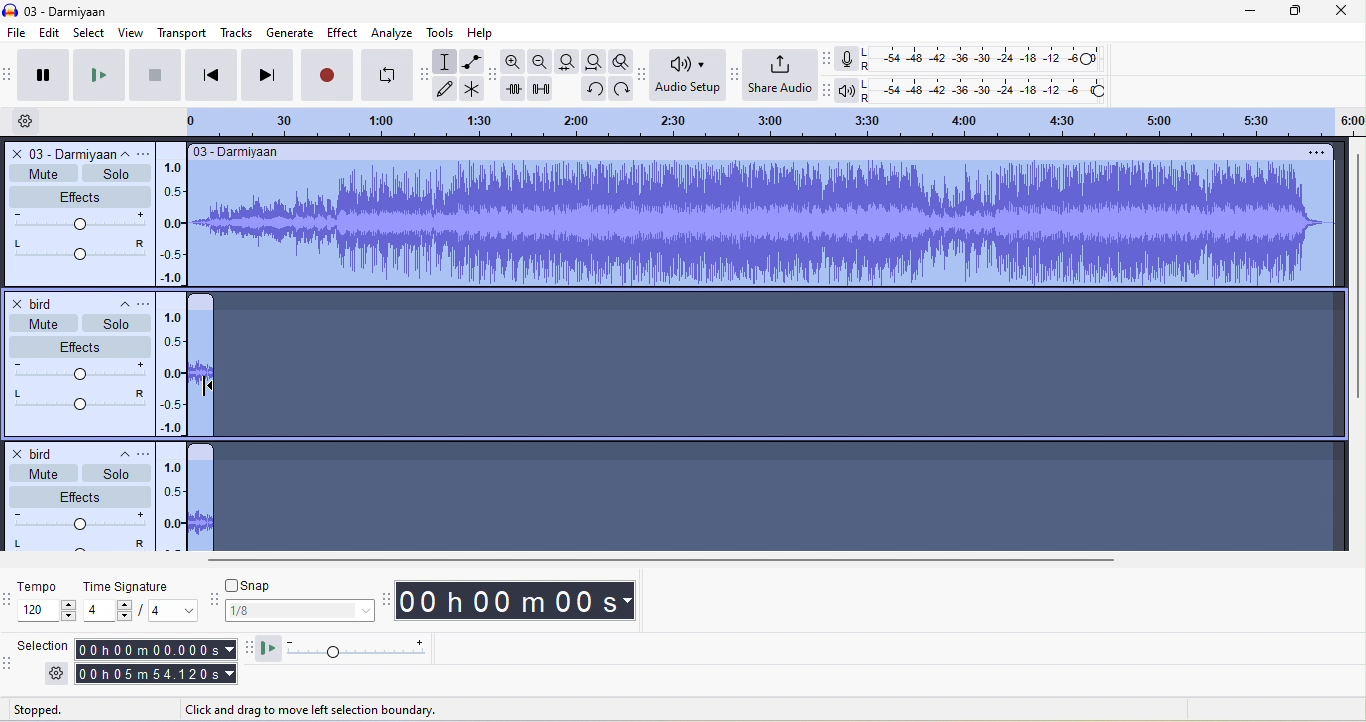 This screenshot has height=722, width=1366. What do you see at coordinates (153, 645) in the screenshot?
I see `00 h 00 m 00. 000 s` at bounding box center [153, 645].